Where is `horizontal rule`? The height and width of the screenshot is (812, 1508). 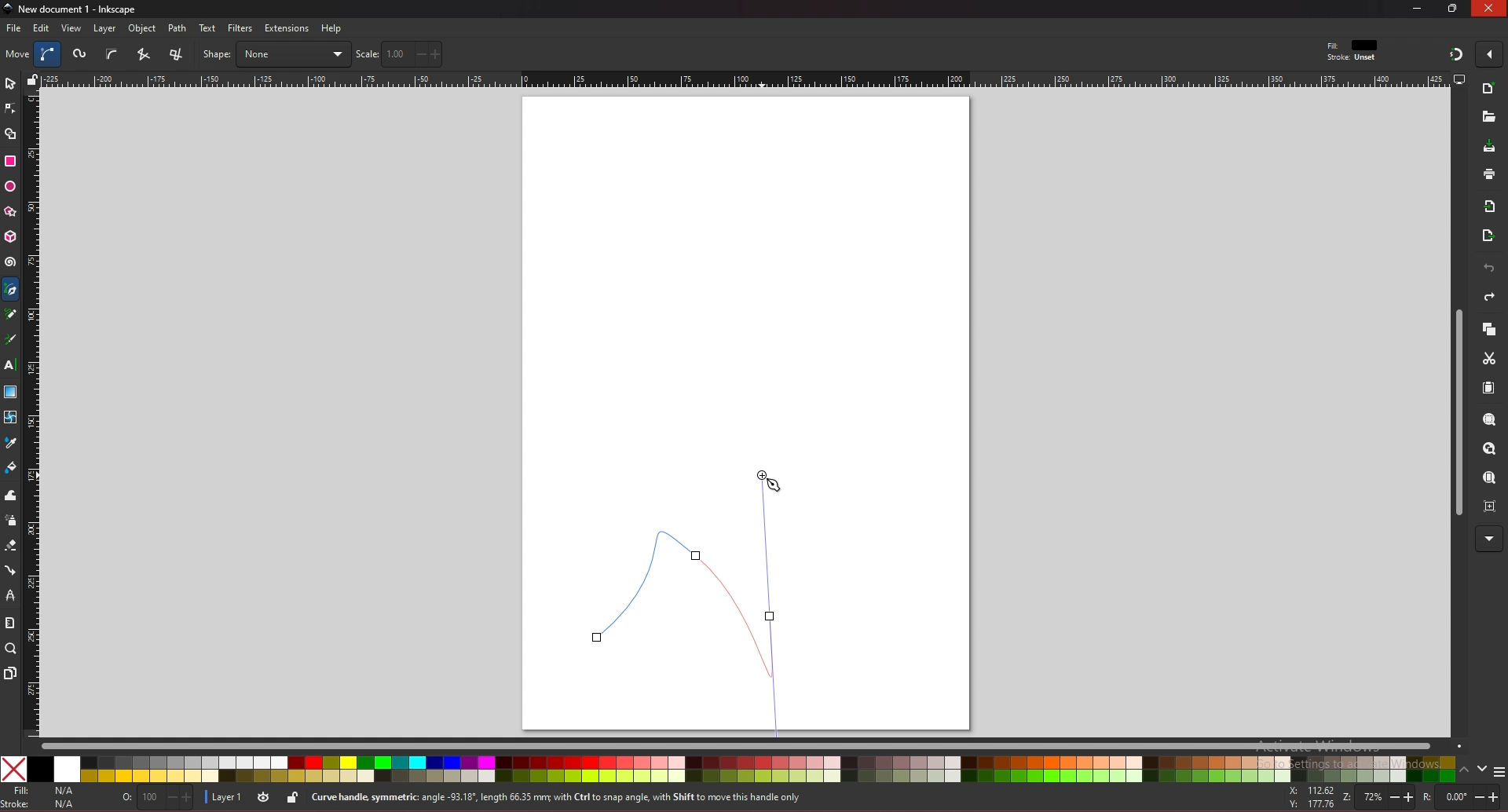
horizontal rule is located at coordinates (745, 79).